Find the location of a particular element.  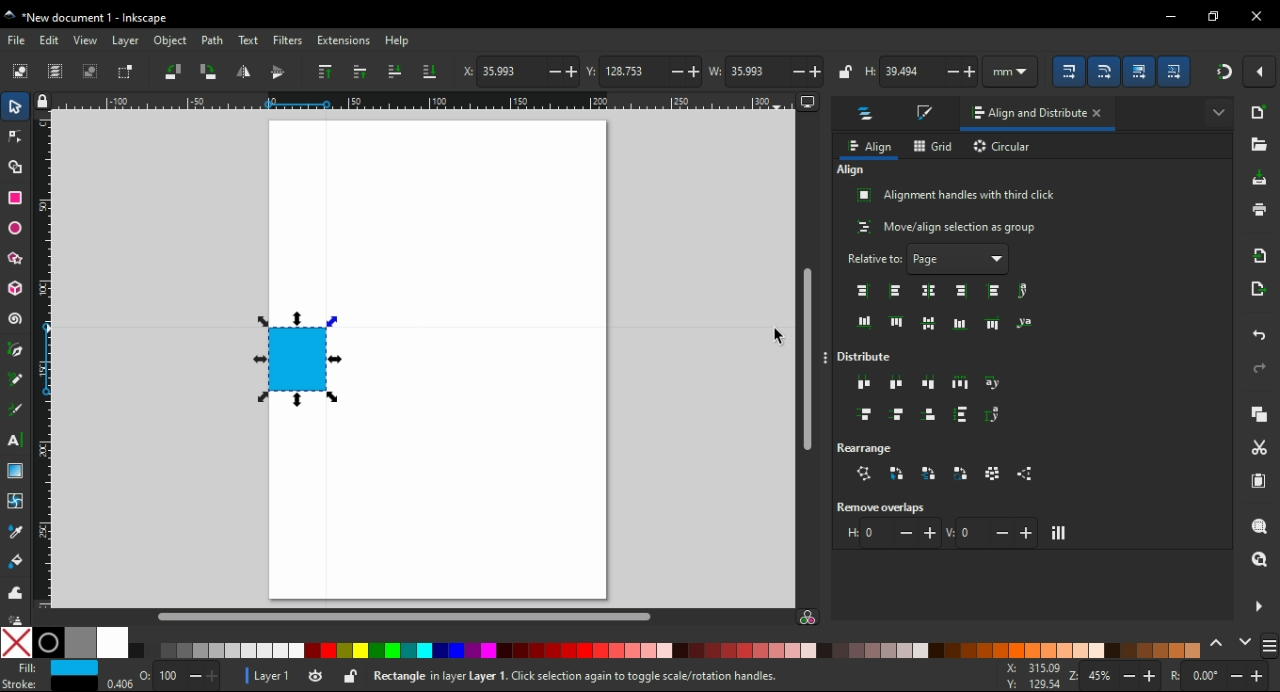

spiral tool is located at coordinates (18, 321).